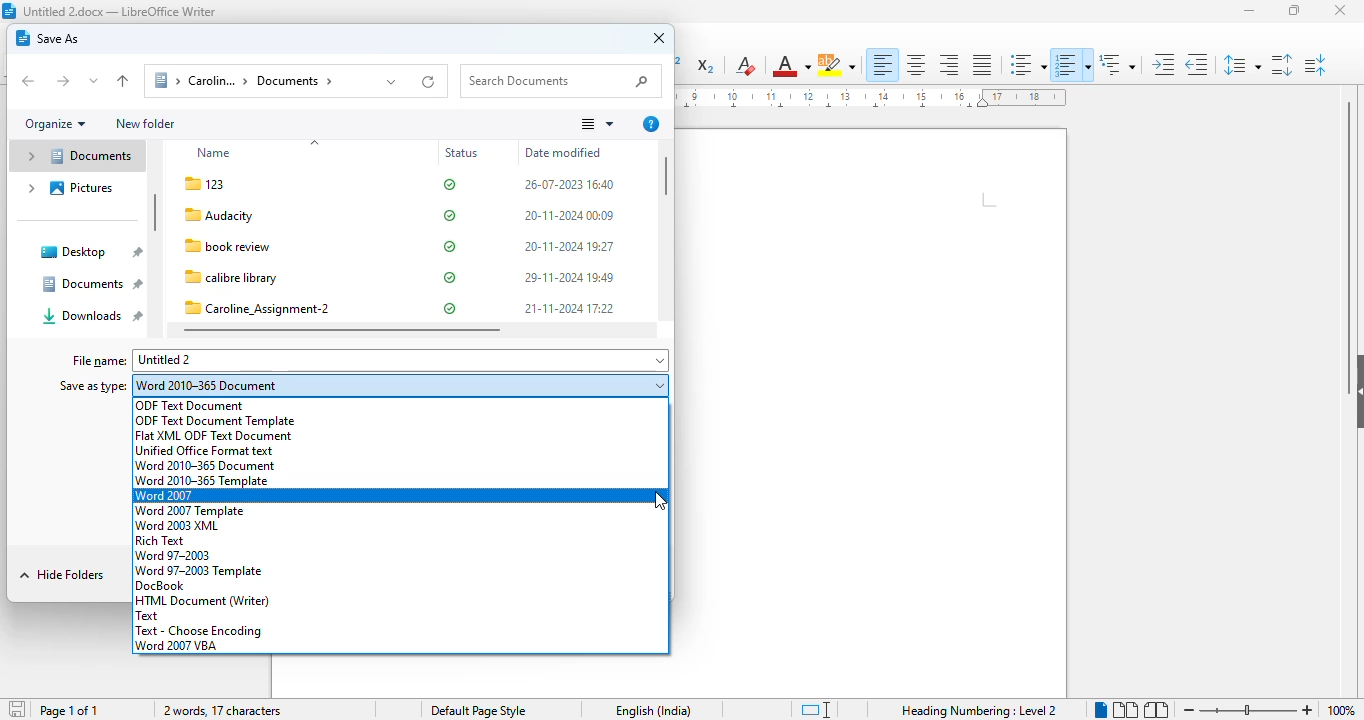 The height and width of the screenshot is (720, 1364). I want to click on align center, so click(916, 65).